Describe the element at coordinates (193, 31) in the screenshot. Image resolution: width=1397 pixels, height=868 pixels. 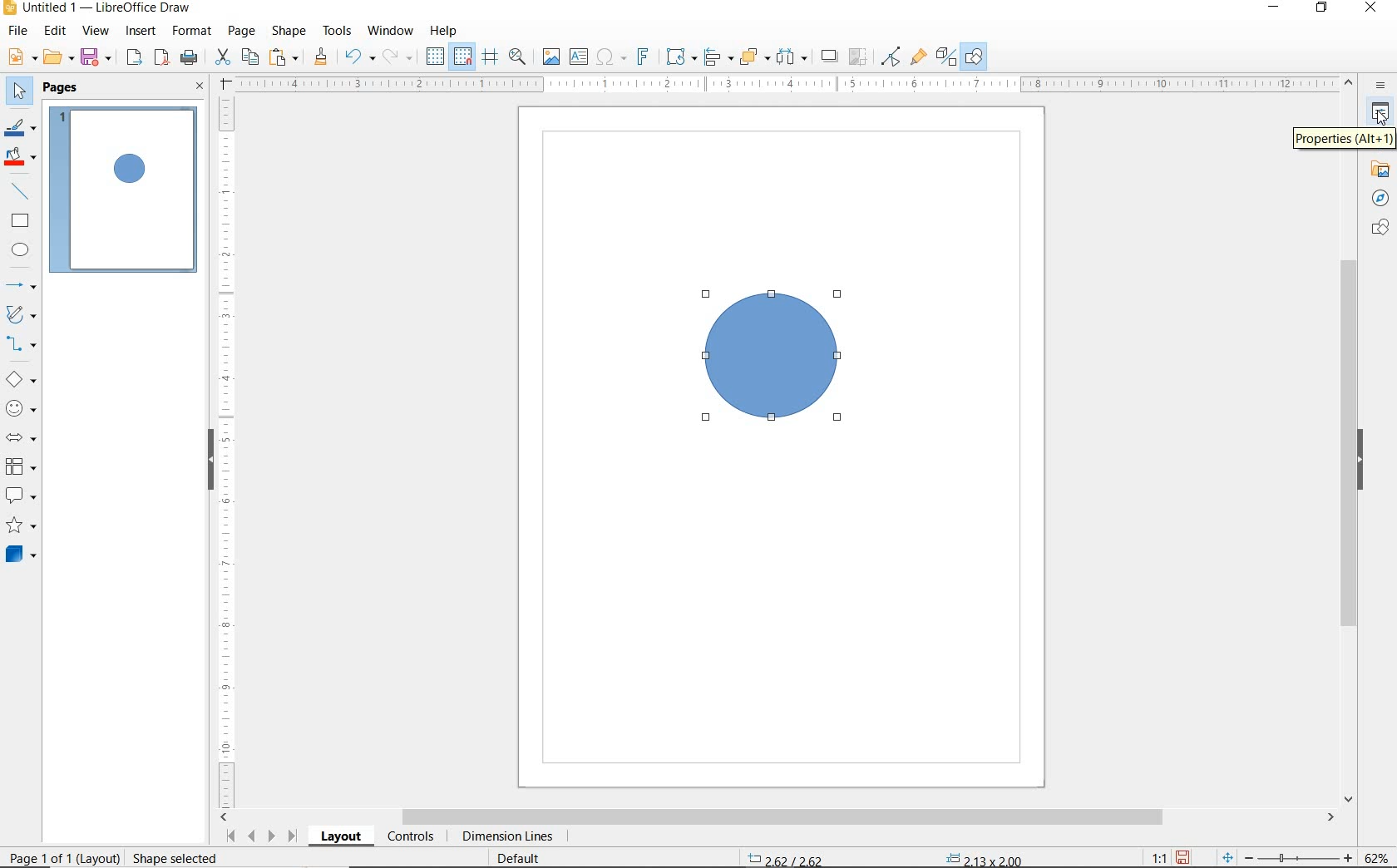
I see `FORMAT` at that location.